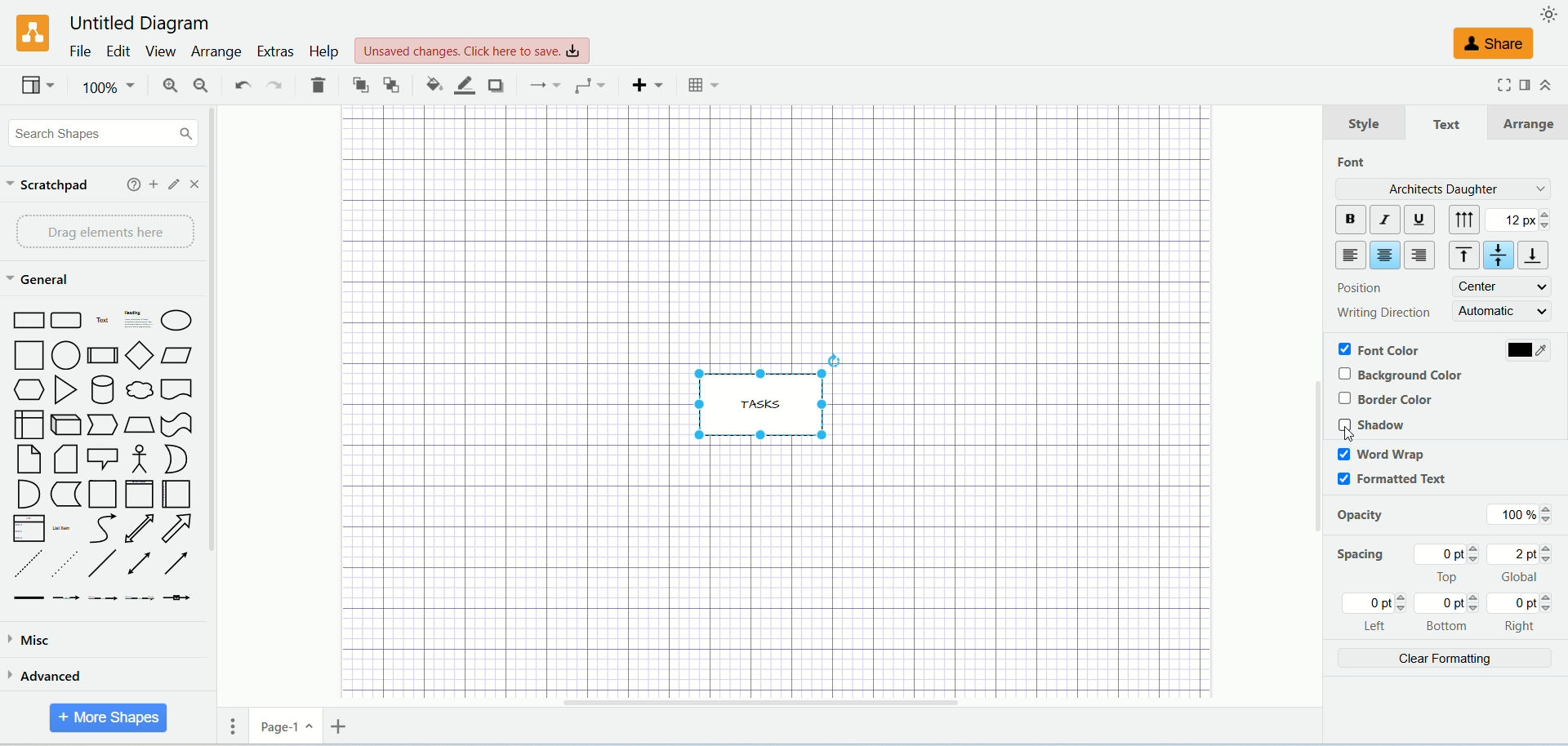  What do you see at coordinates (220, 400) in the screenshot?
I see `vertical scroll bar` at bounding box center [220, 400].